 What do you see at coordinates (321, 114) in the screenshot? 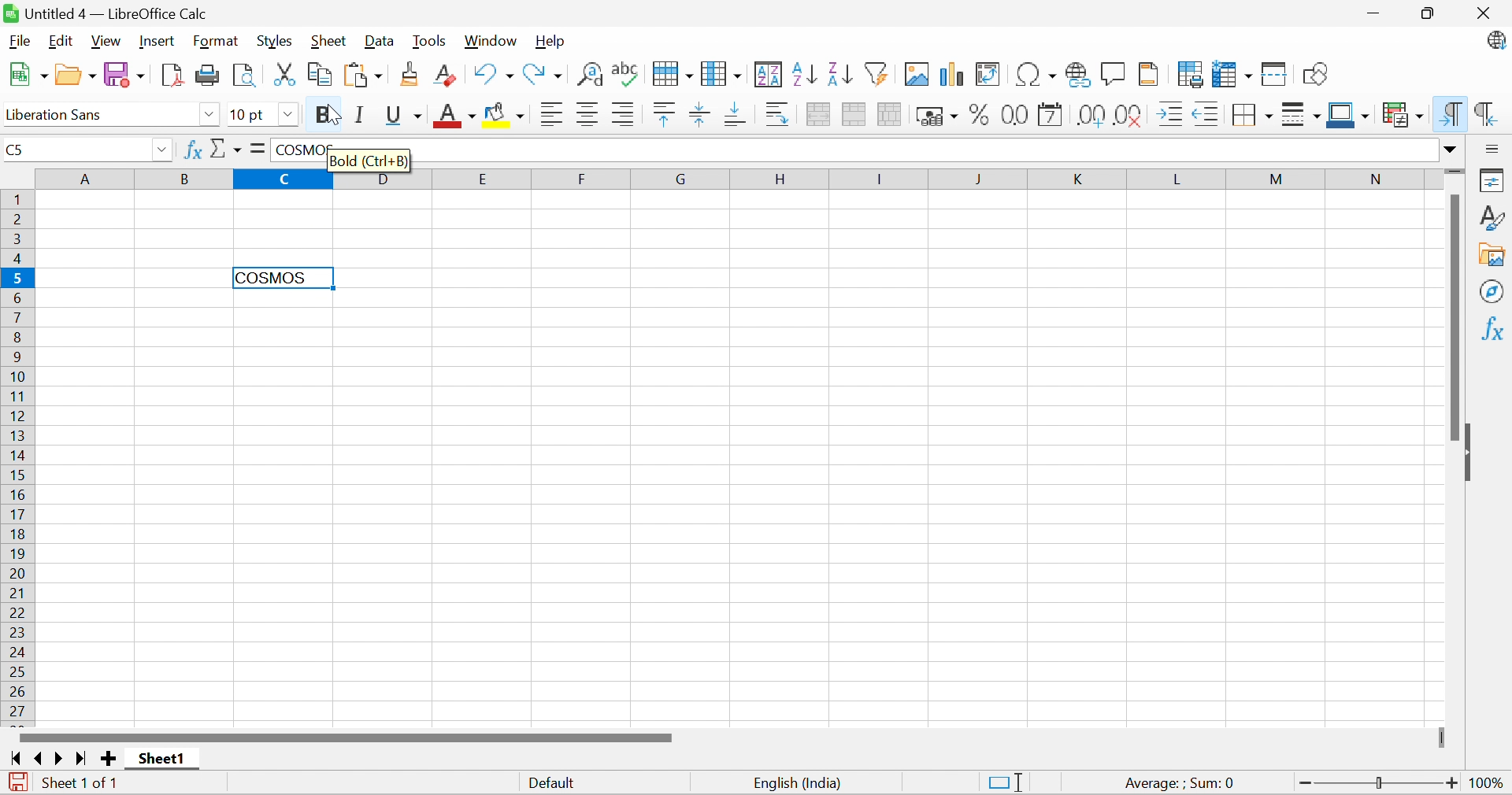
I see `Bold` at bounding box center [321, 114].